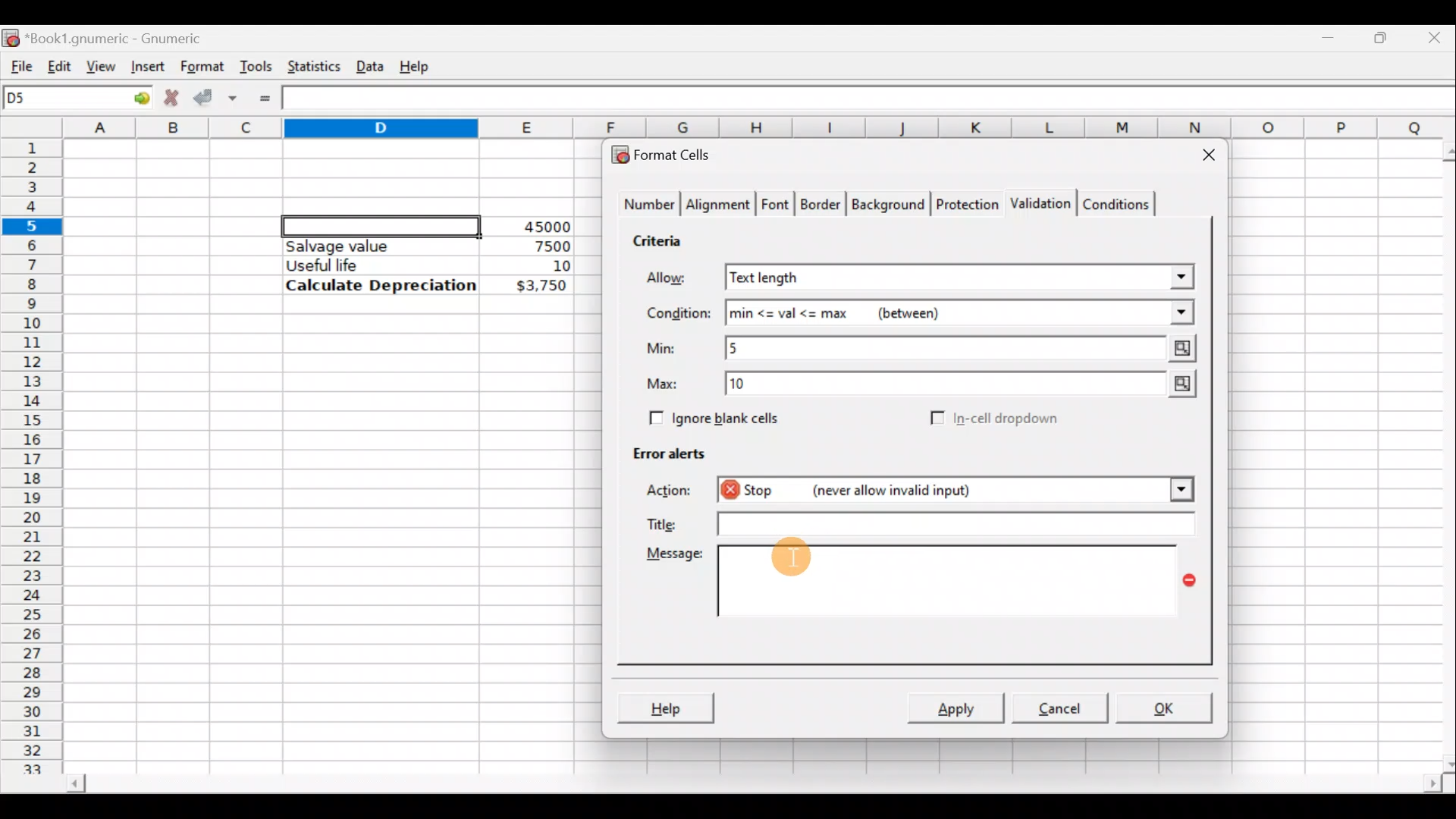  What do you see at coordinates (201, 67) in the screenshot?
I see `Format` at bounding box center [201, 67].